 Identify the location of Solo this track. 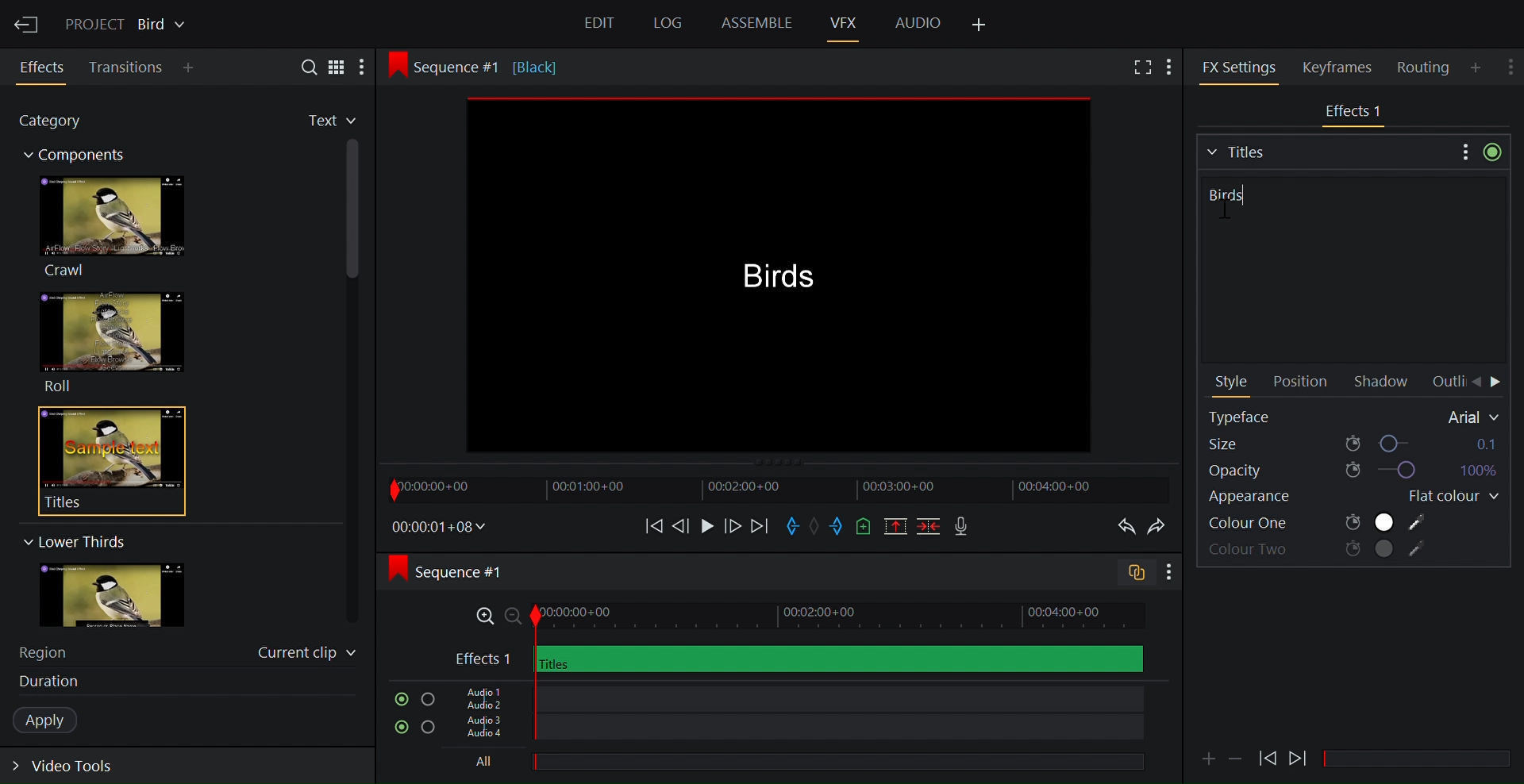
(429, 729).